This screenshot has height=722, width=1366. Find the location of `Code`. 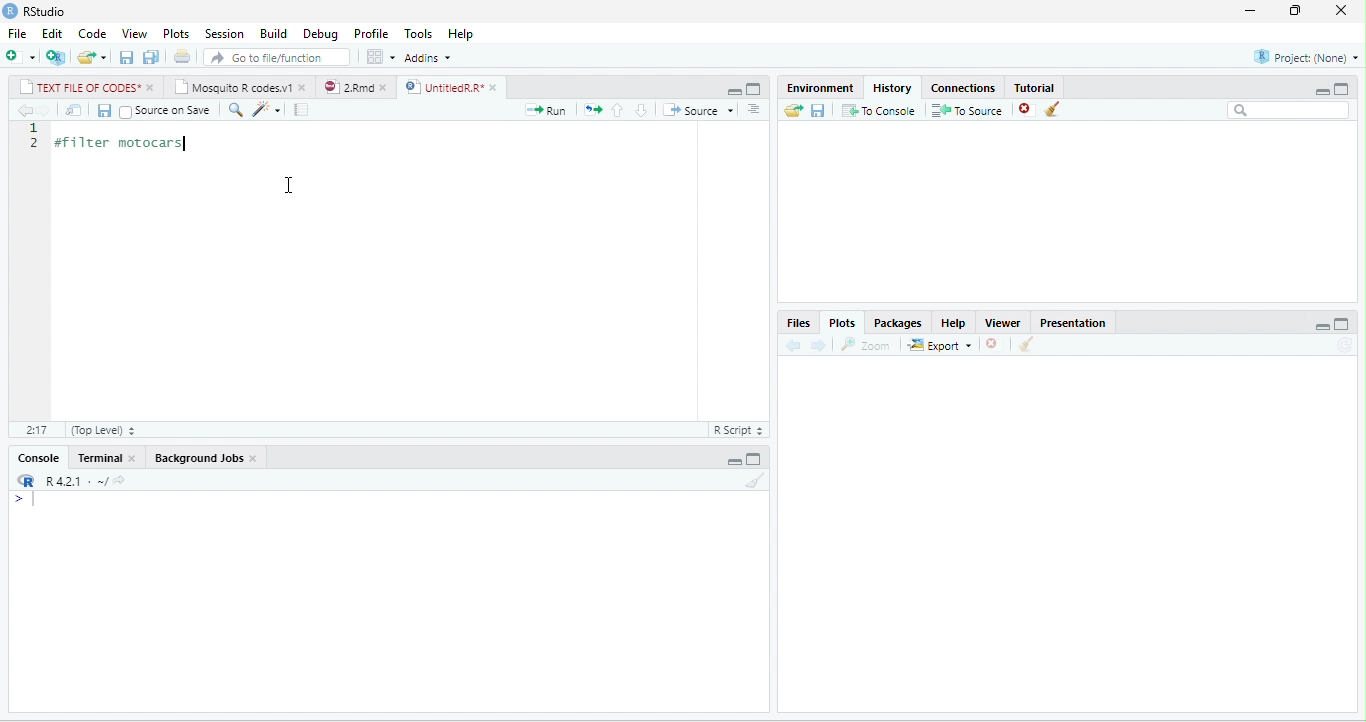

Code is located at coordinates (93, 33).